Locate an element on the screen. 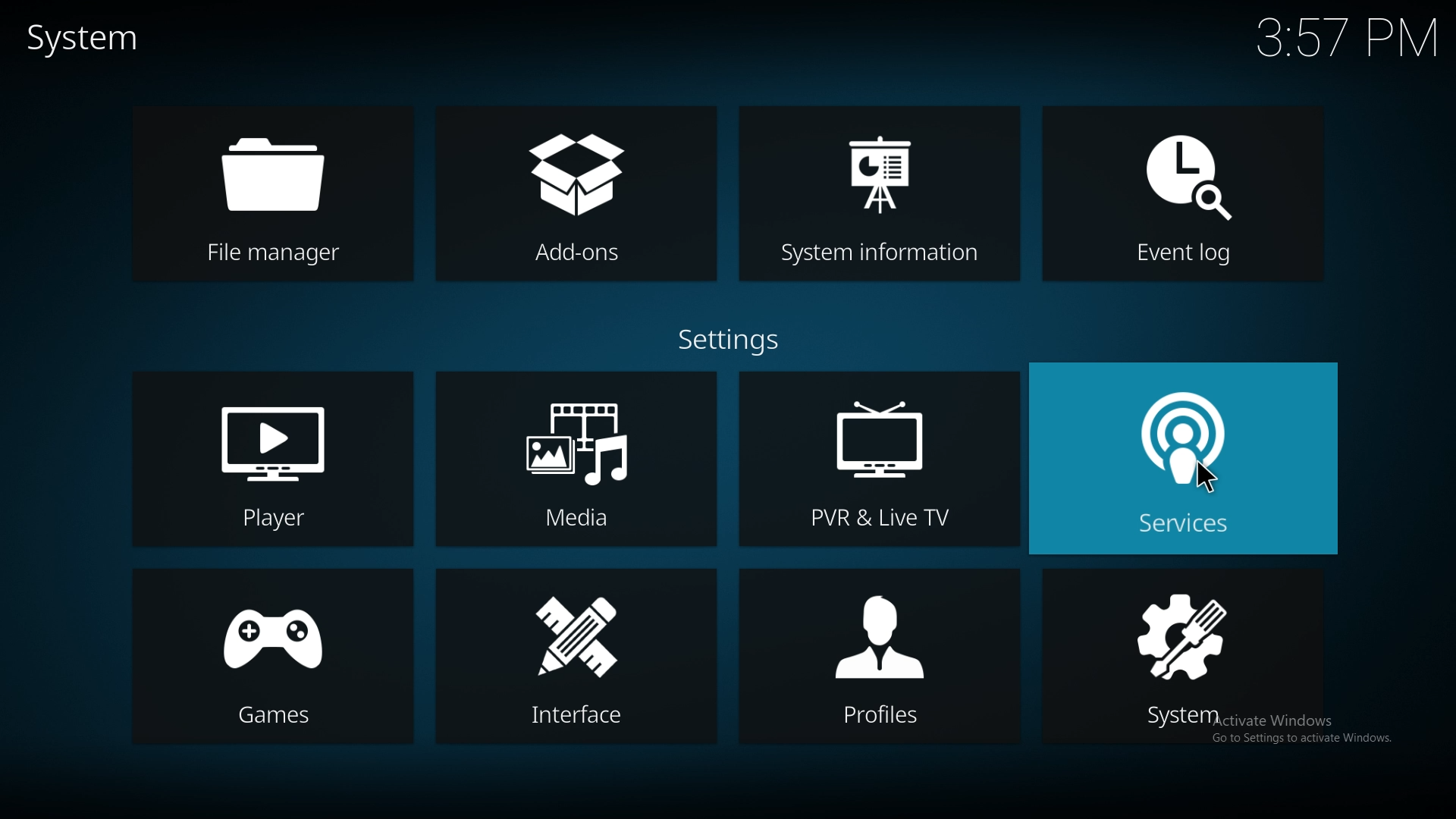  system is located at coordinates (86, 40).